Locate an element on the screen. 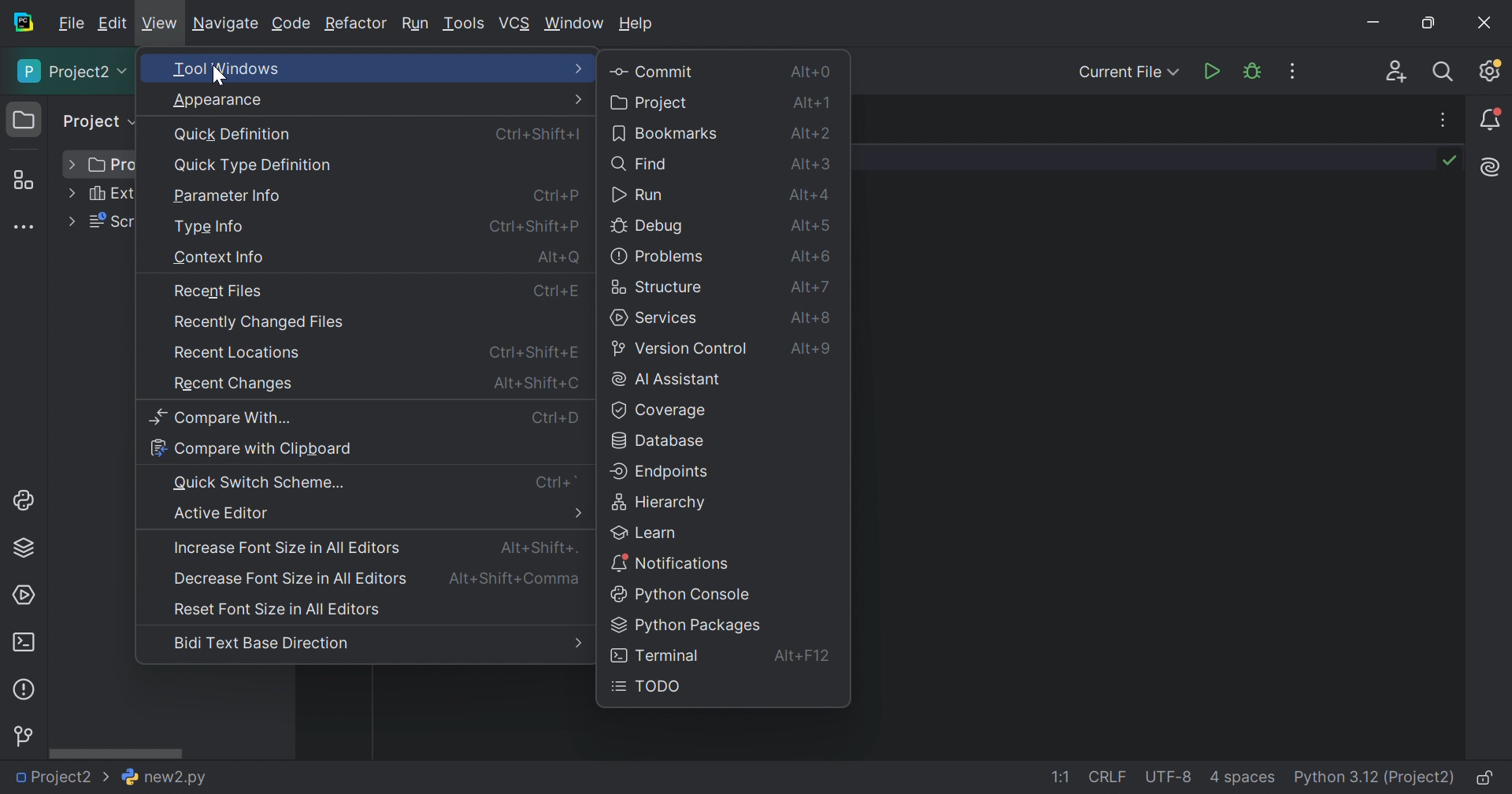  Ctrl+E is located at coordinates (561, 293).